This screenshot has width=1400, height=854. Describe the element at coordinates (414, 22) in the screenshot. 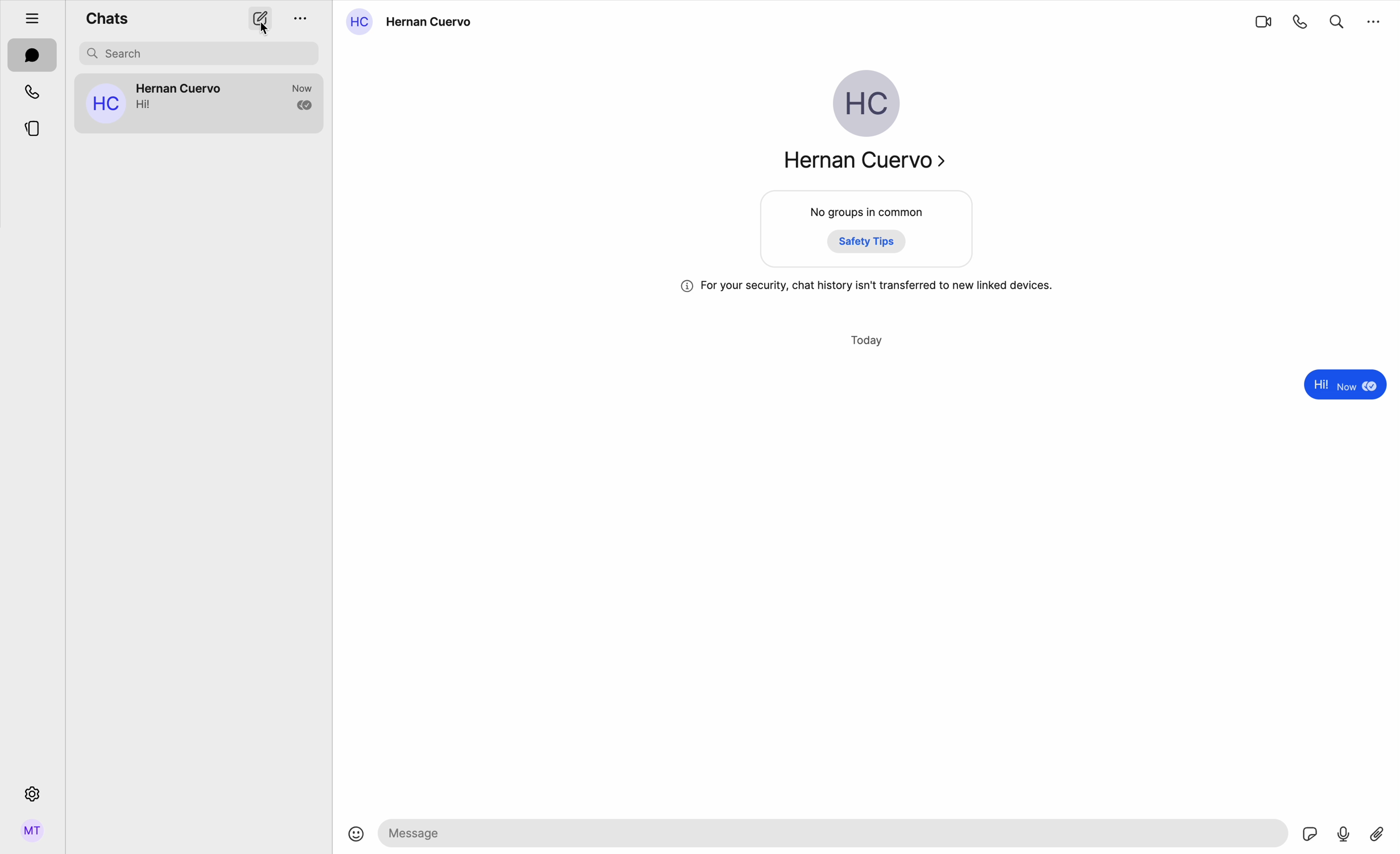

I see `Hernan Cuervo contact` at that location.